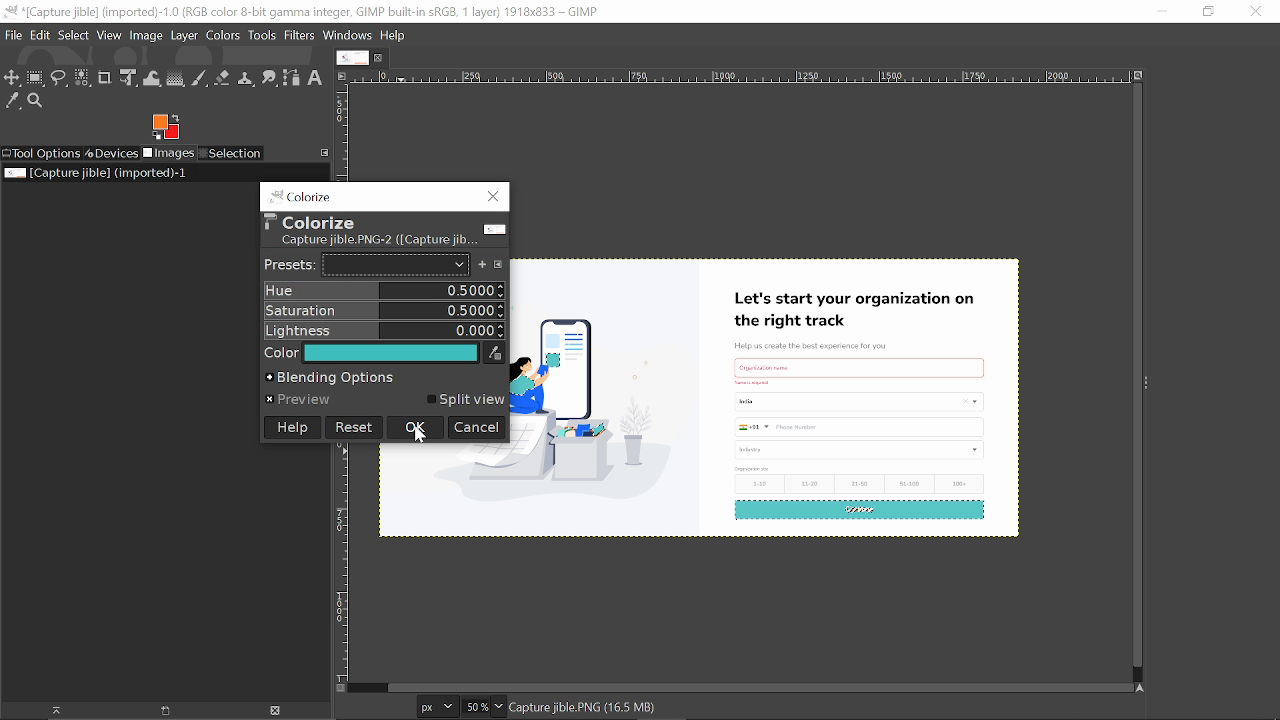 The height and width of the screenshot is (720, 1280). I want to click on Delete image, so click(277, 711).